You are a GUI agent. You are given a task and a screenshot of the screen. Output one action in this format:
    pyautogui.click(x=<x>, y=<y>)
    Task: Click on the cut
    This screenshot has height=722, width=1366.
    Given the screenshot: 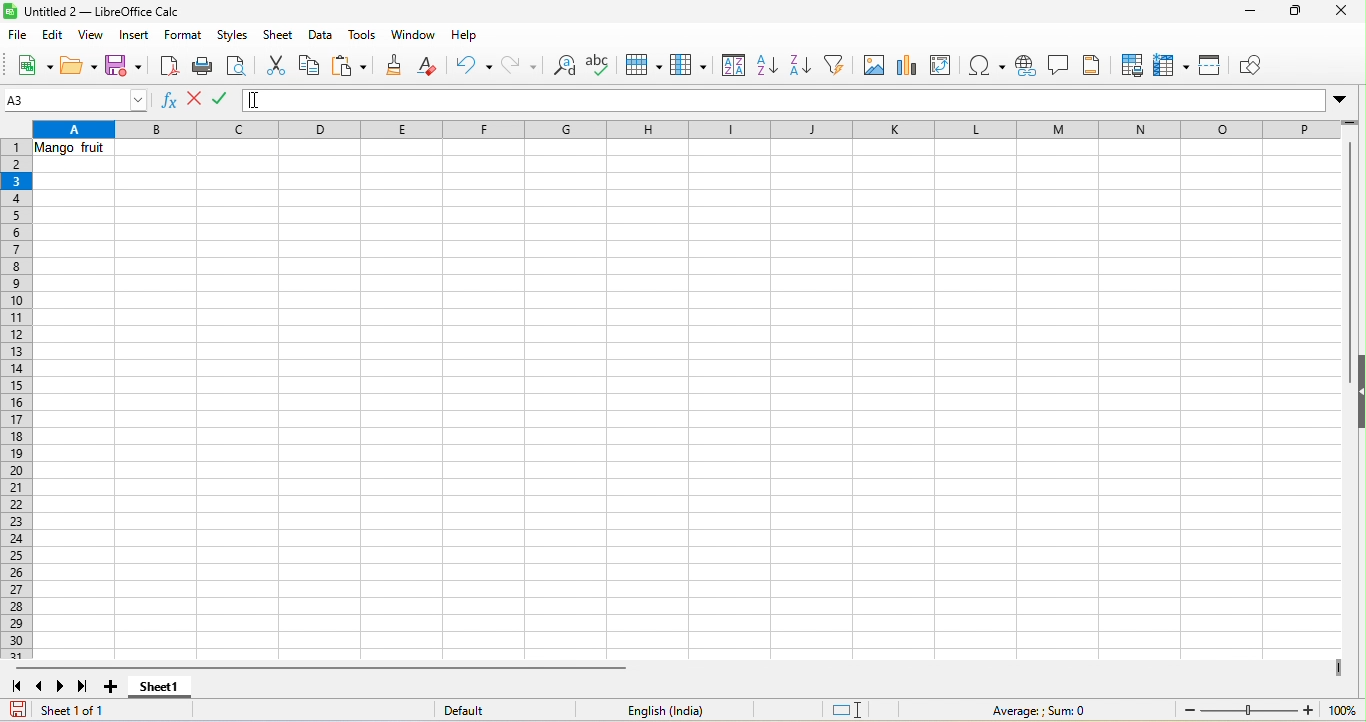 What is the action you would take?
    pyautogui.click(x=276, y=64)
    